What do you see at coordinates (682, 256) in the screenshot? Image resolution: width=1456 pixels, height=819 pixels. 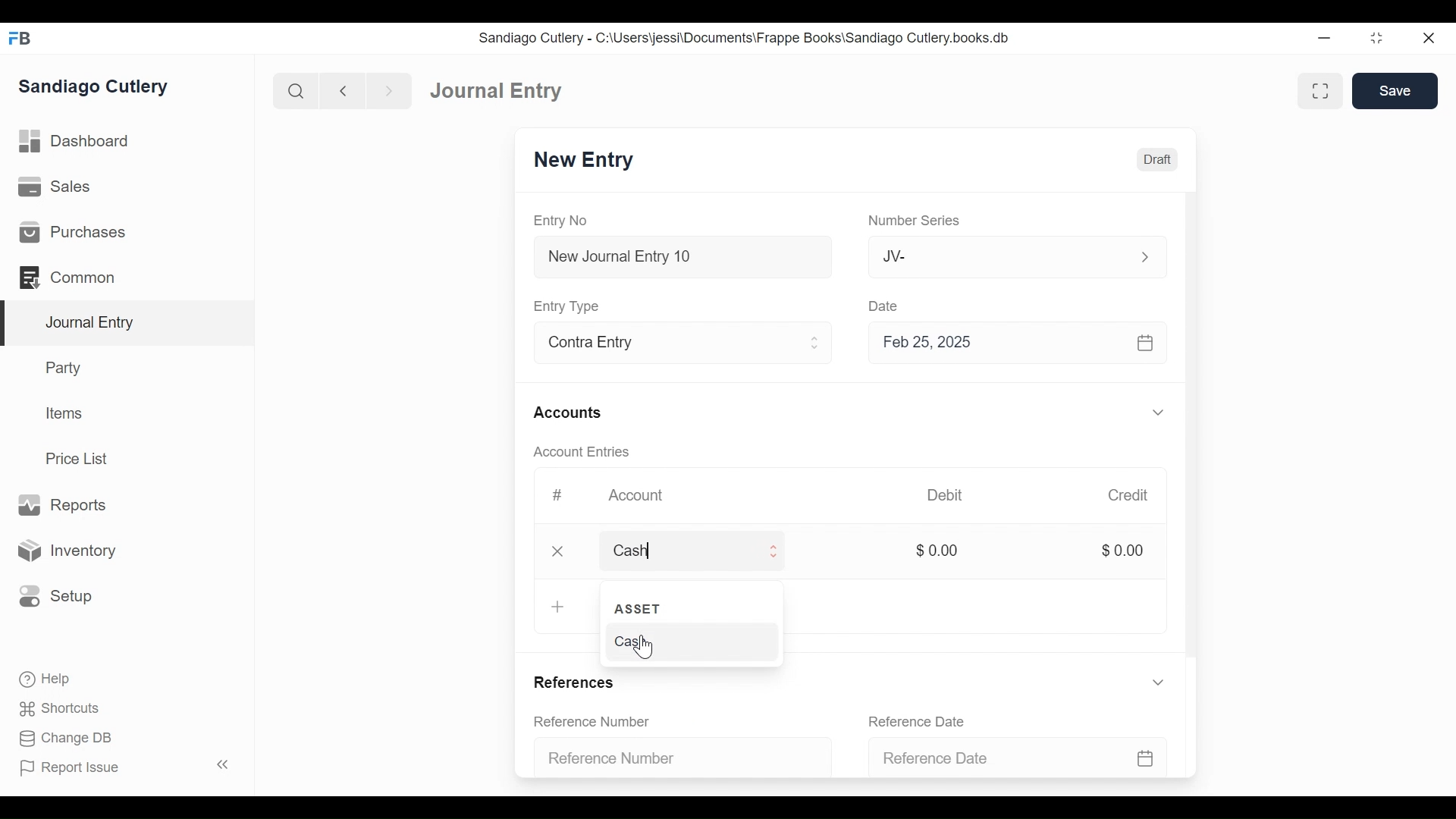 I see `New Journal Entry 10` at bounding box center [682, 256].